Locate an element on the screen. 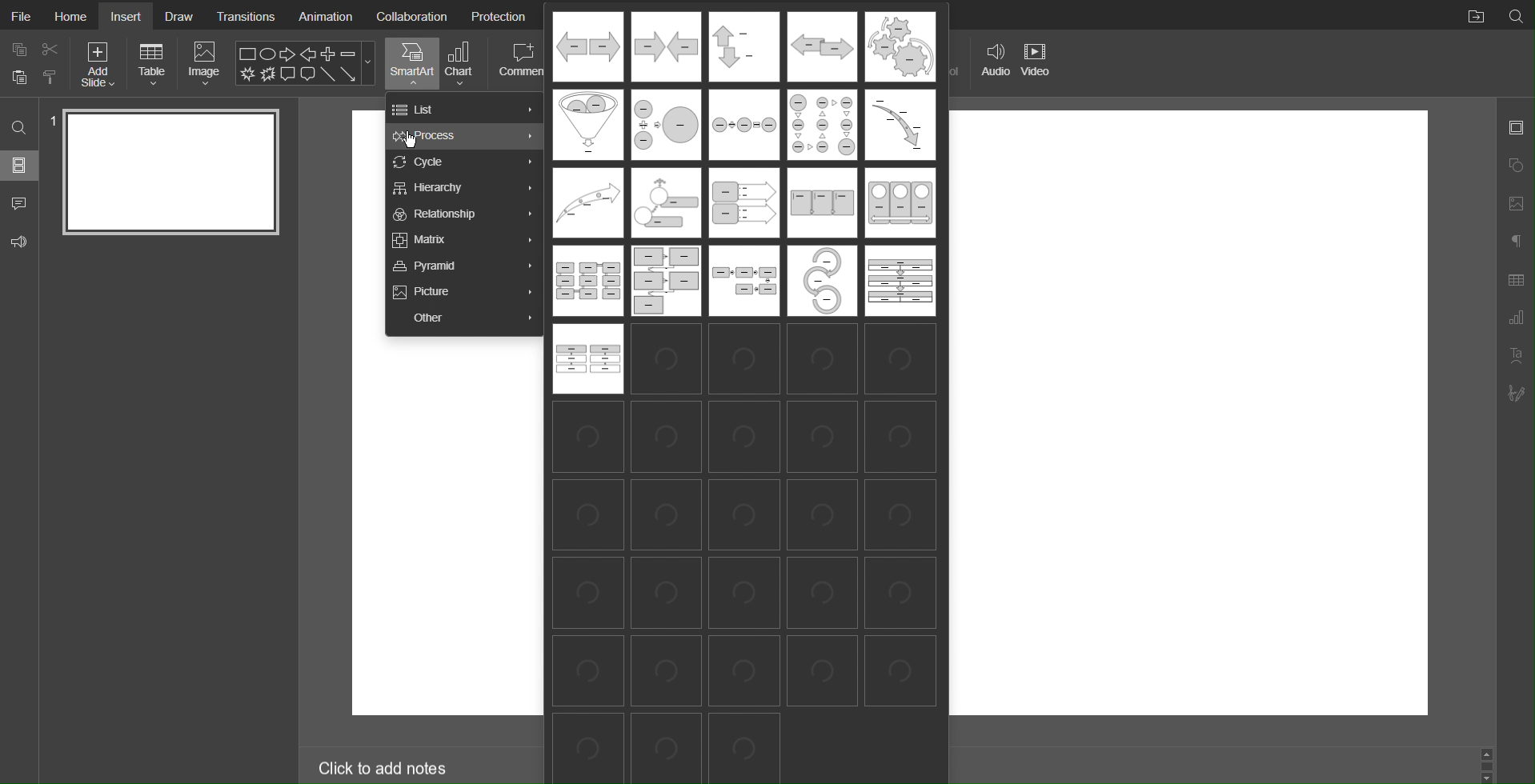 The image size is (1535, 784). copy is located at coordinates (18, 48).